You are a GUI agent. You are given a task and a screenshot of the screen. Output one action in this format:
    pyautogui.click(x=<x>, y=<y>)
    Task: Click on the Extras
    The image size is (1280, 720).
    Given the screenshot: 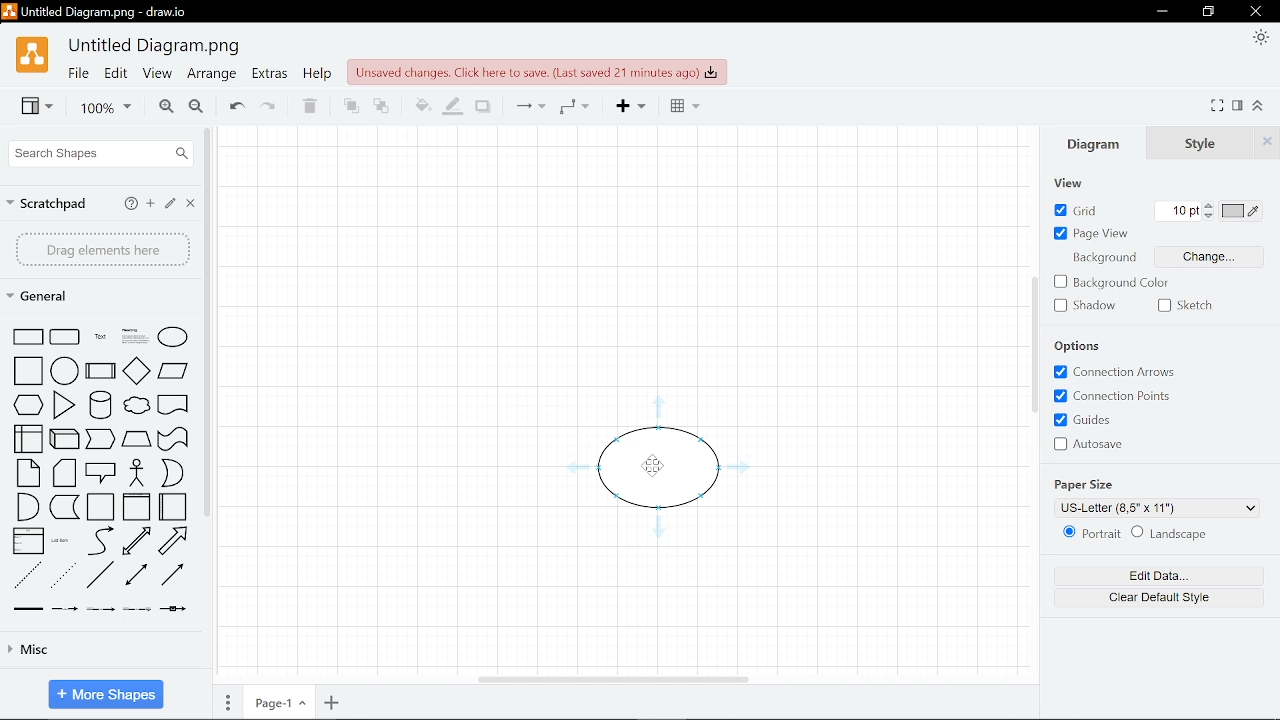 What is the action you would take?
    pyautogui.click(x=269, y=74)
    